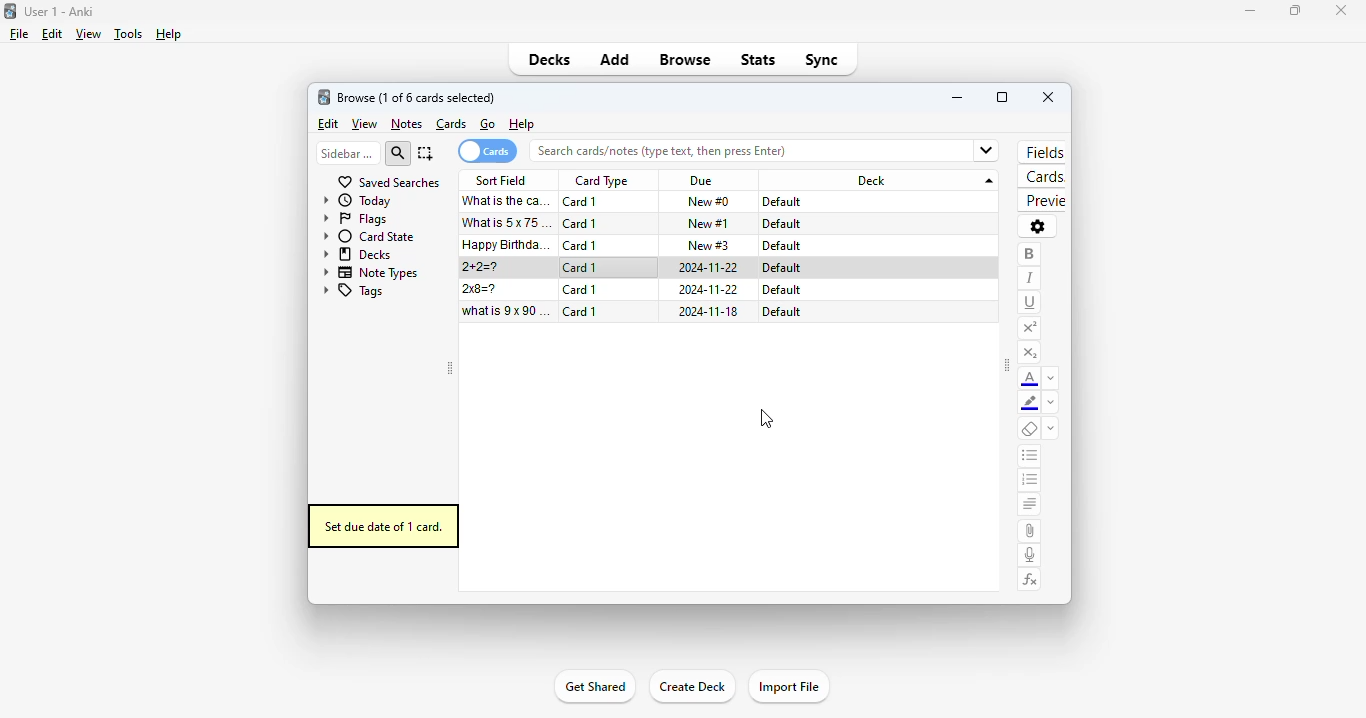 The height and width of the screenshot is (718, 1366). Describe the element at coordinates (1029, 353) in the screenshot. I see `subscript` at that location.